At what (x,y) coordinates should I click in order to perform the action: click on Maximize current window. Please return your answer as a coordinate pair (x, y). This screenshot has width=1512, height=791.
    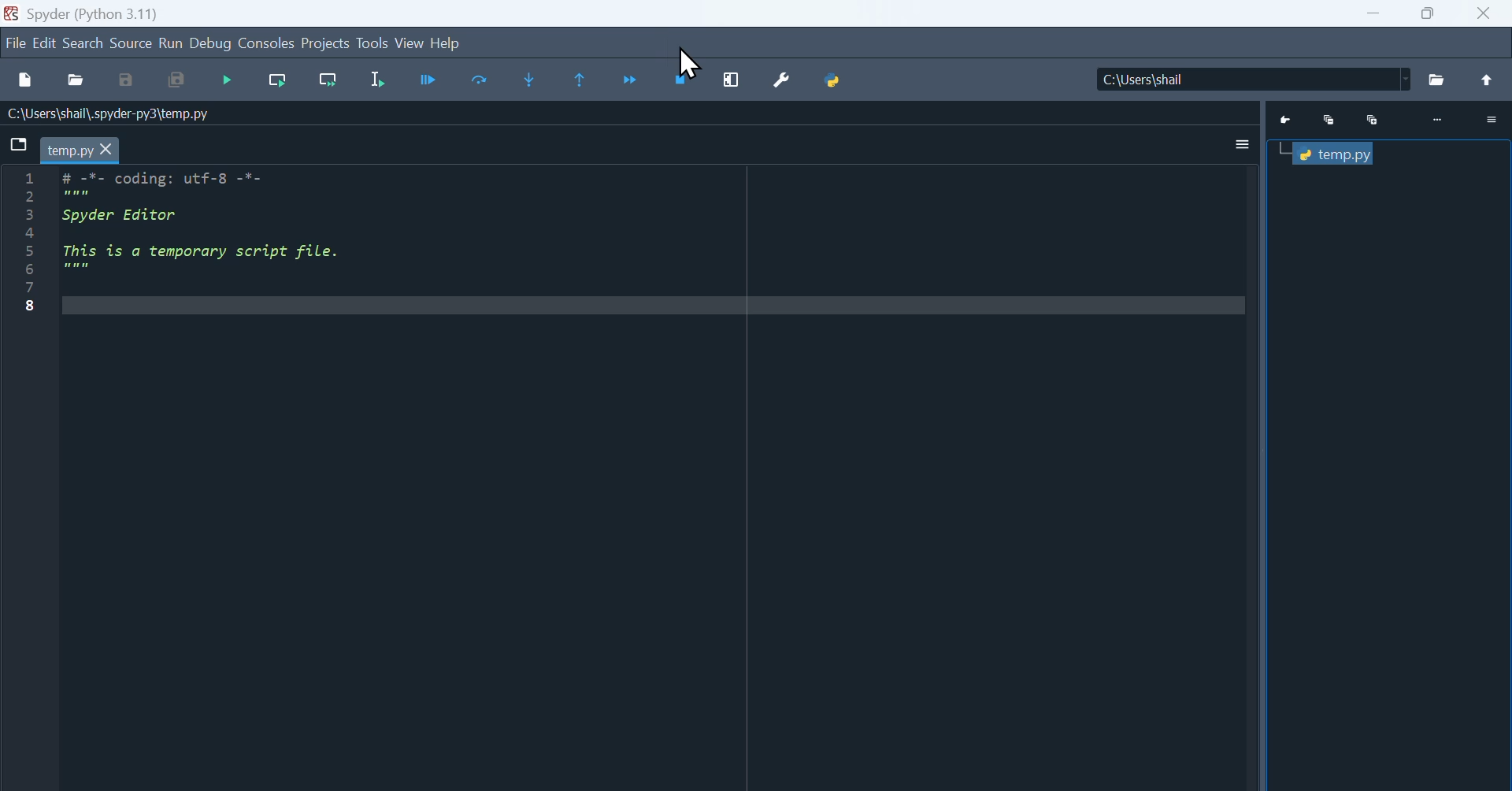
    Looking at the image, I should click on (732, 80).